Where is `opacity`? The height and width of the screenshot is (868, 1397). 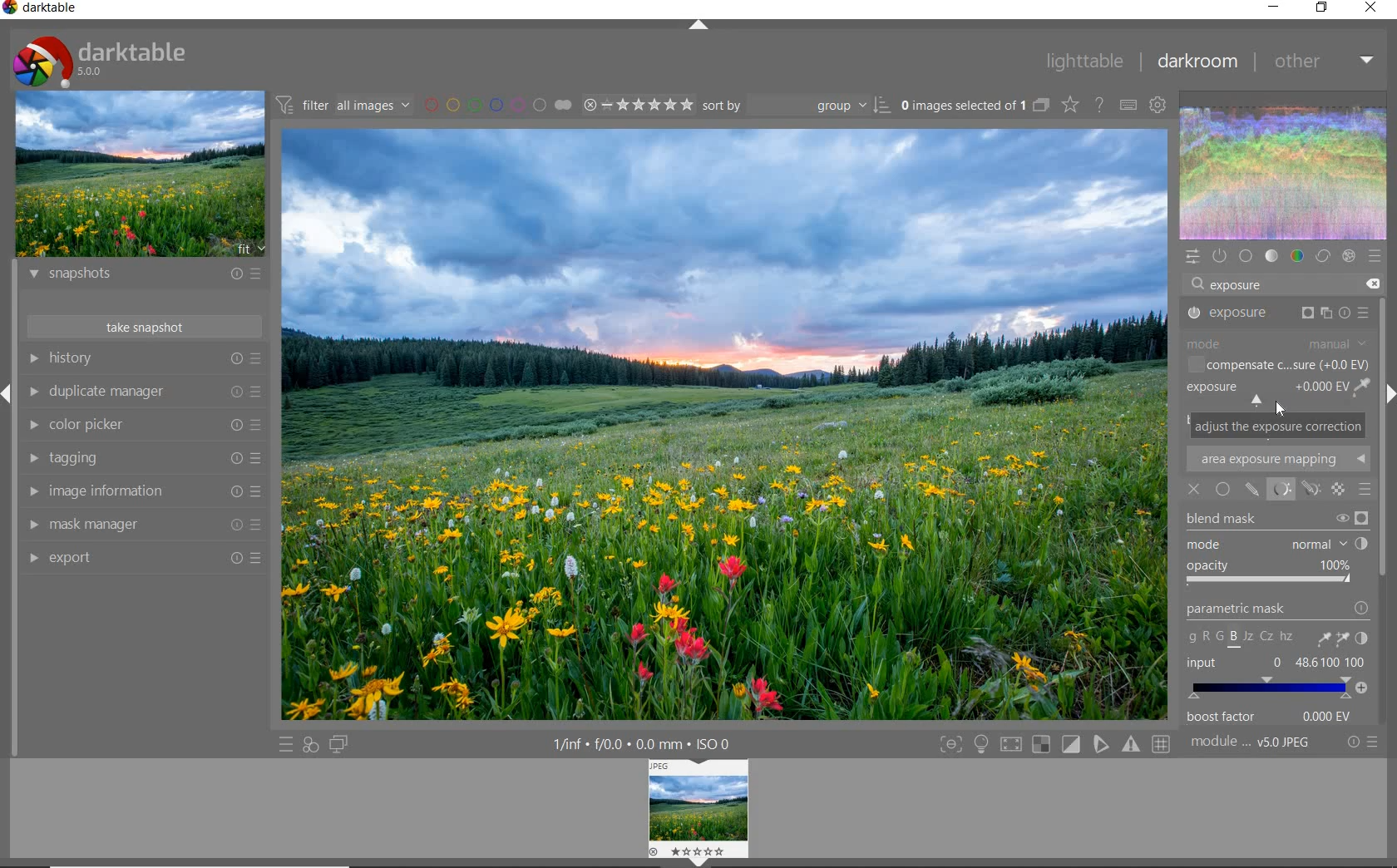
opacity is located at coordinates (1271, 576).